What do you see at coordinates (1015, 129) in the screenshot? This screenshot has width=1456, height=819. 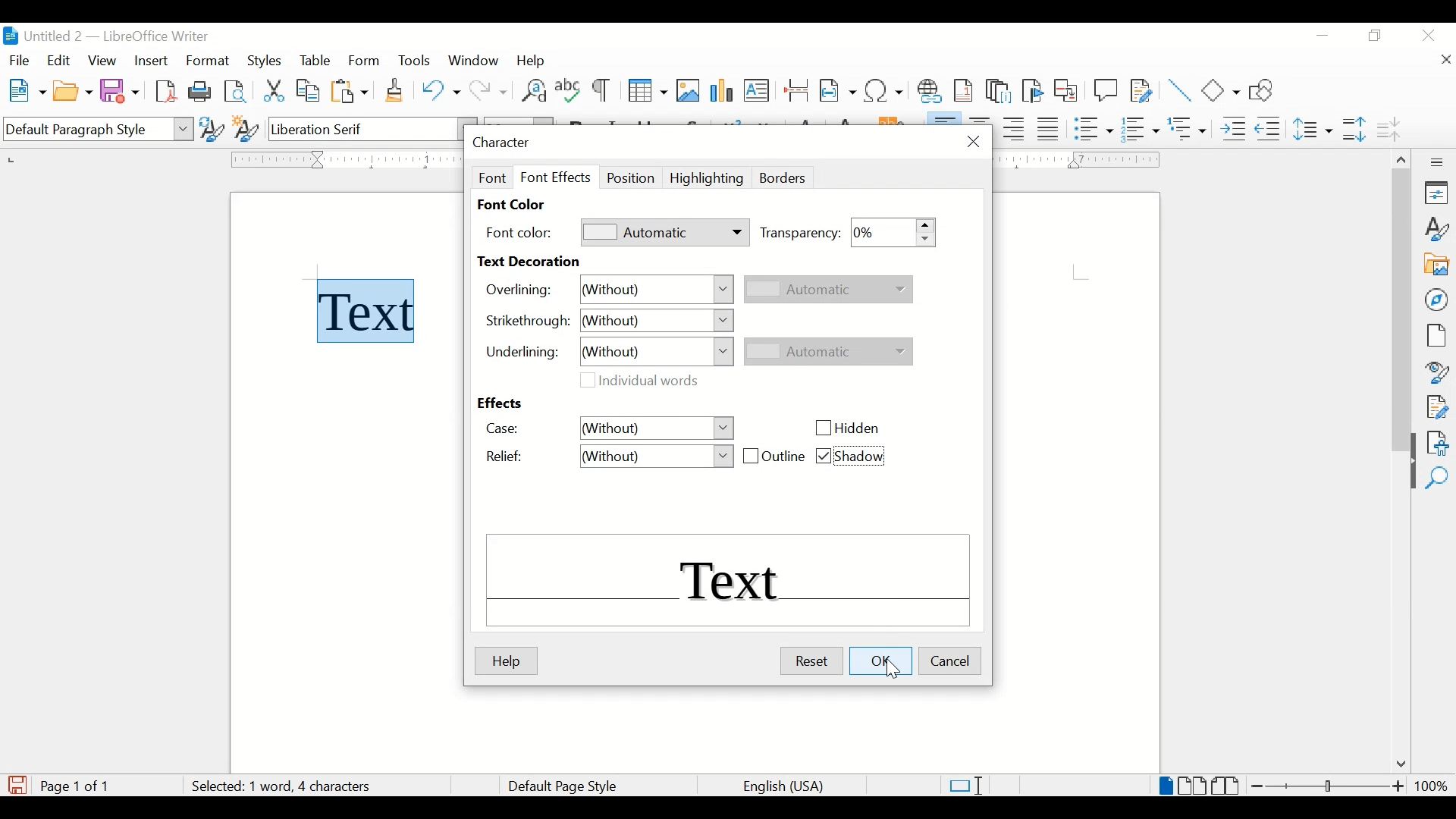 I see `align right` at bounding box center [1015, 129].